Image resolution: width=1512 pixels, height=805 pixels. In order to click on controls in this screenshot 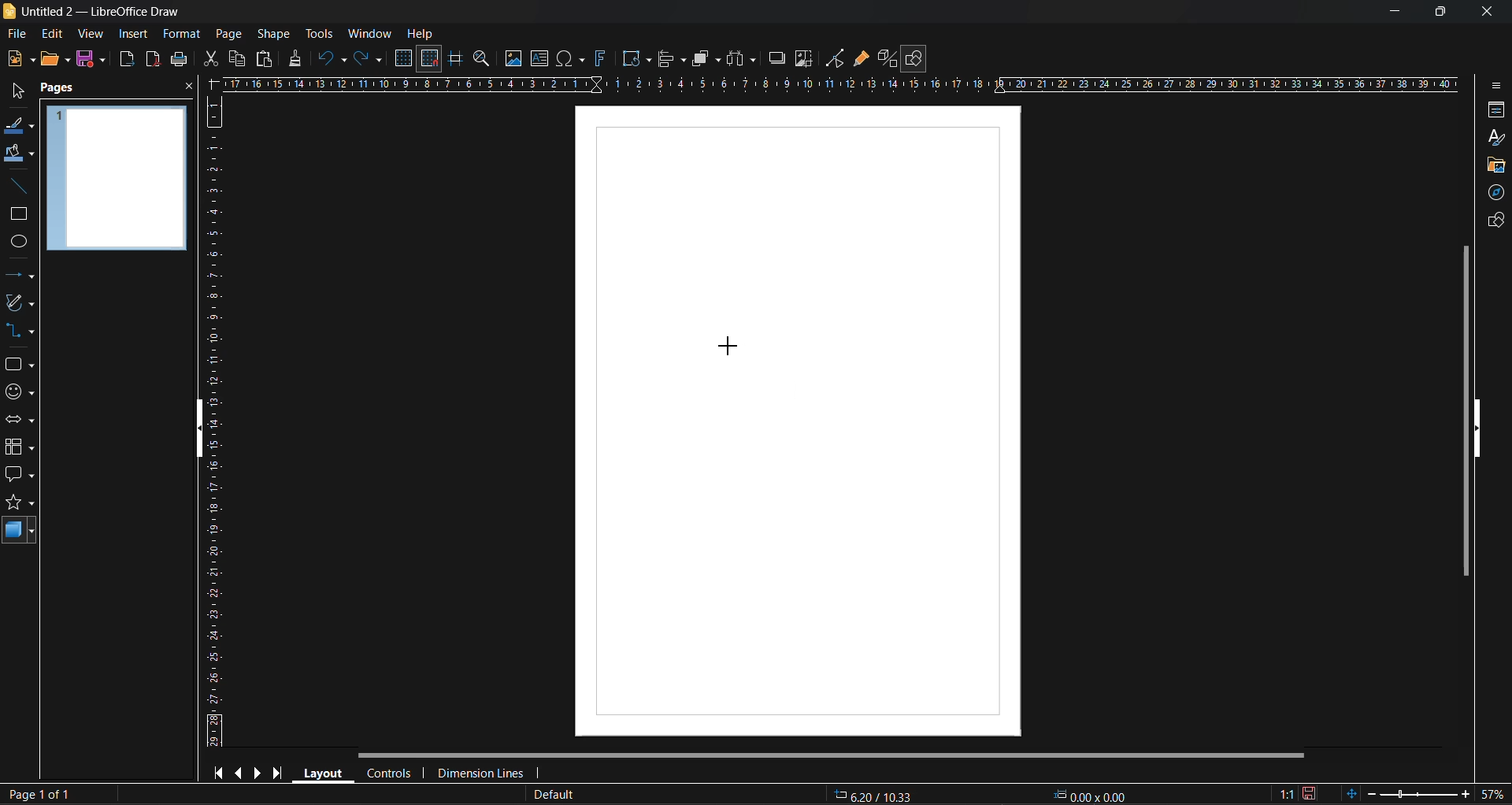, I will do `click(392, 773)`.